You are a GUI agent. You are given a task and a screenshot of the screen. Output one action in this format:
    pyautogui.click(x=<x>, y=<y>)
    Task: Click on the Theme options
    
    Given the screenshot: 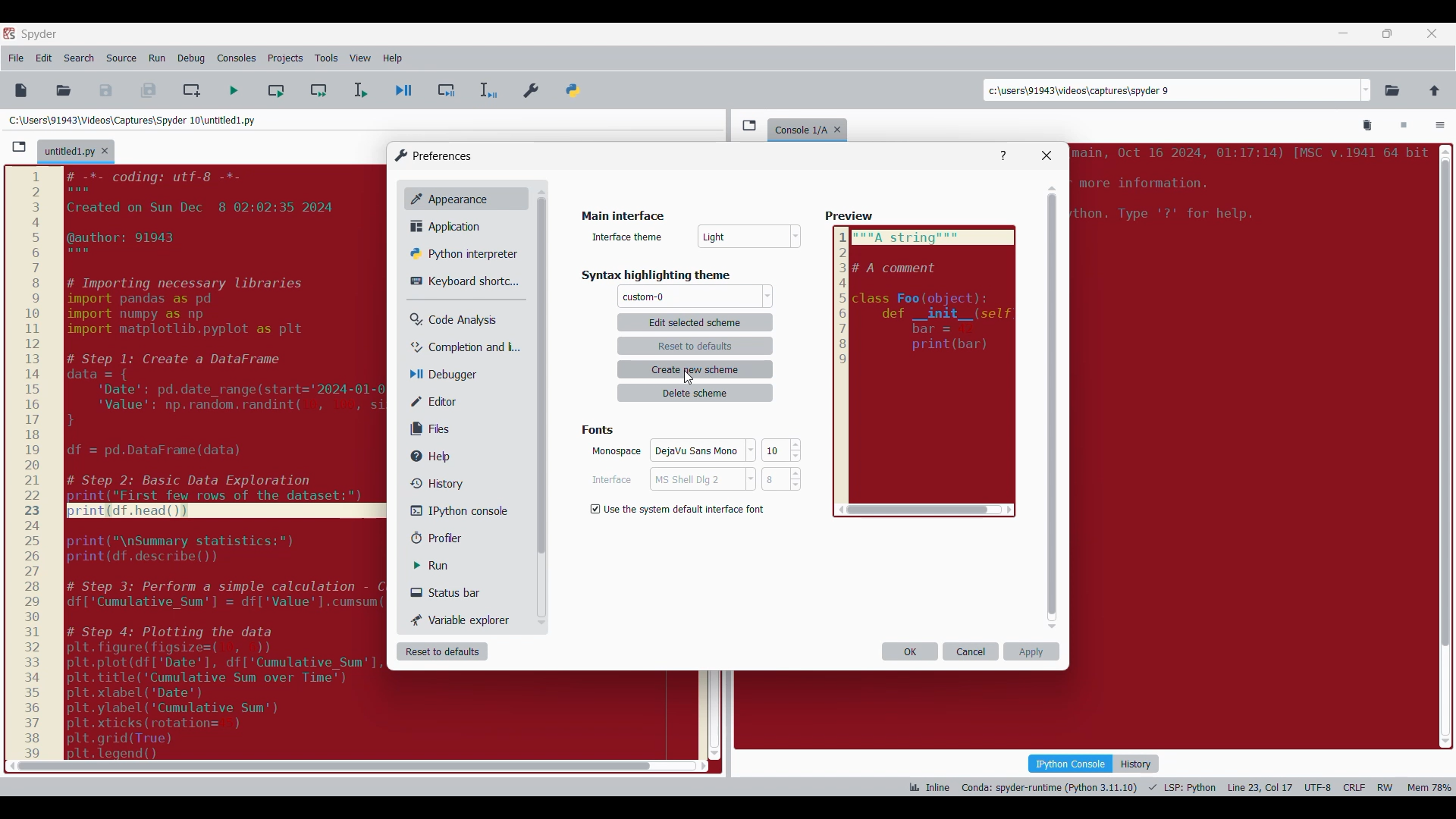 What is the action you would take?
    pyautogui.click(x=695, y=296)
    